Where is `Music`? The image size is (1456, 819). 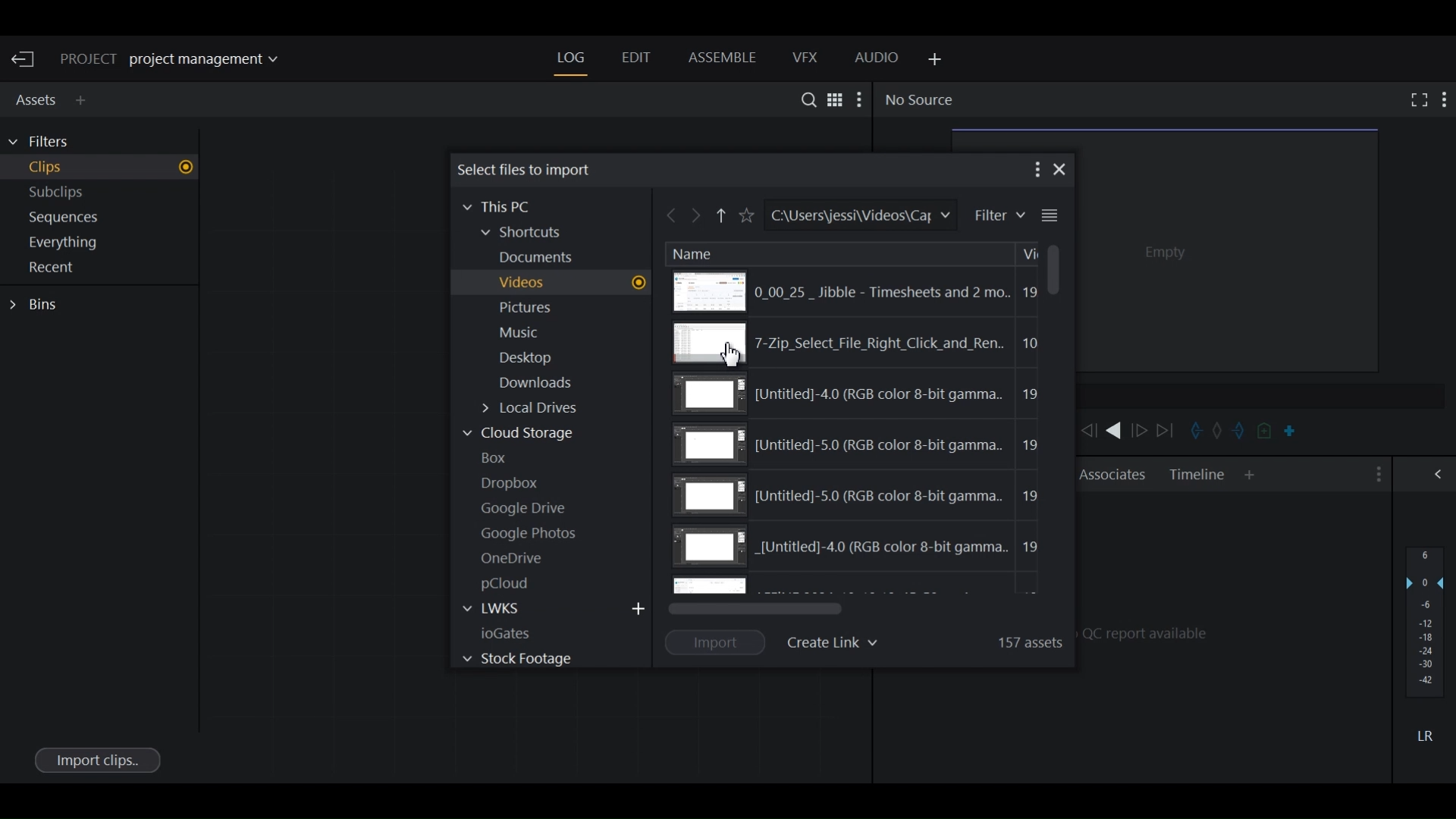
Music is located at coordinates (522, 334).